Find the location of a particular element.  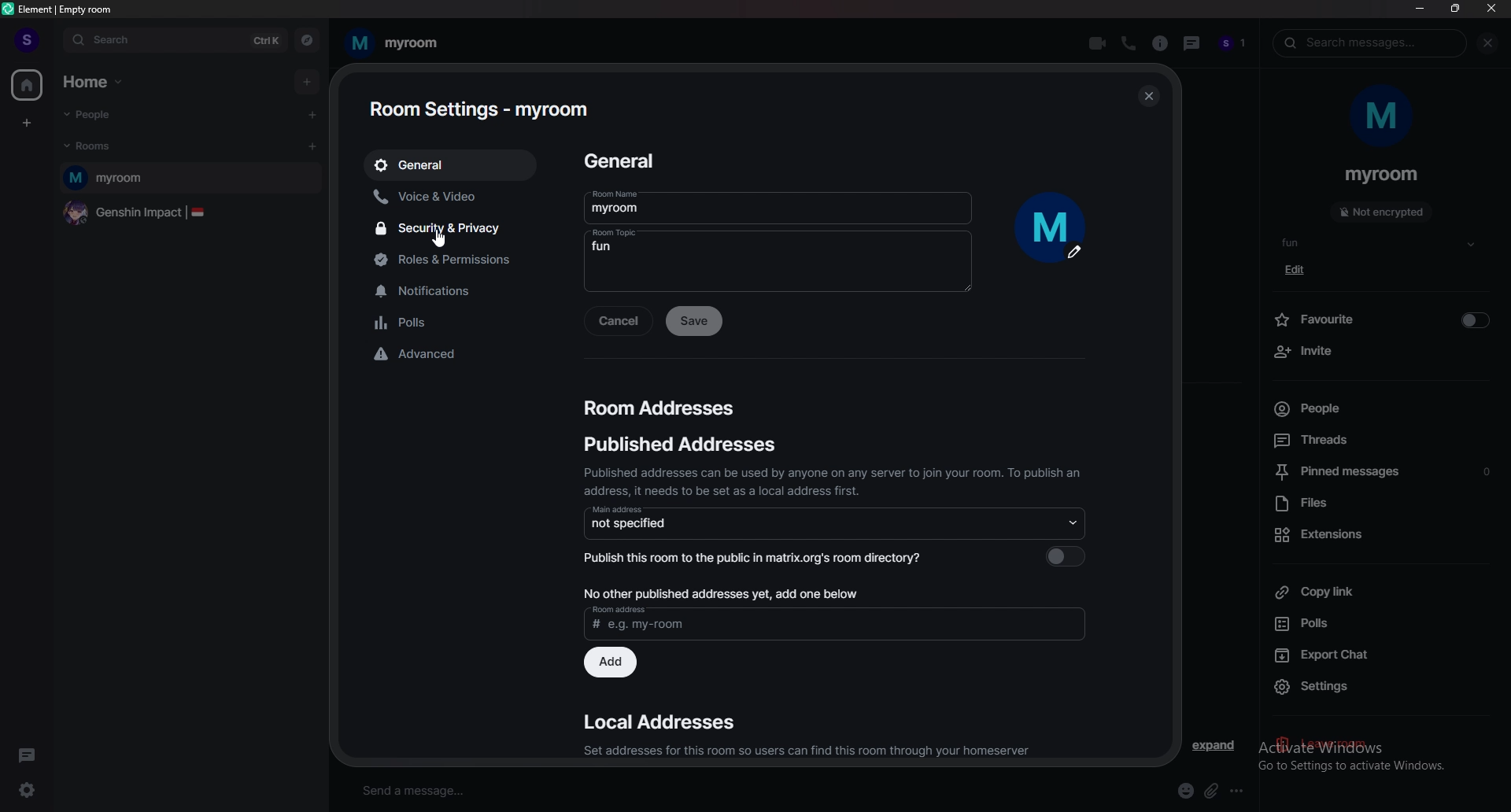

quick settings is located at coordinates (28, 790).